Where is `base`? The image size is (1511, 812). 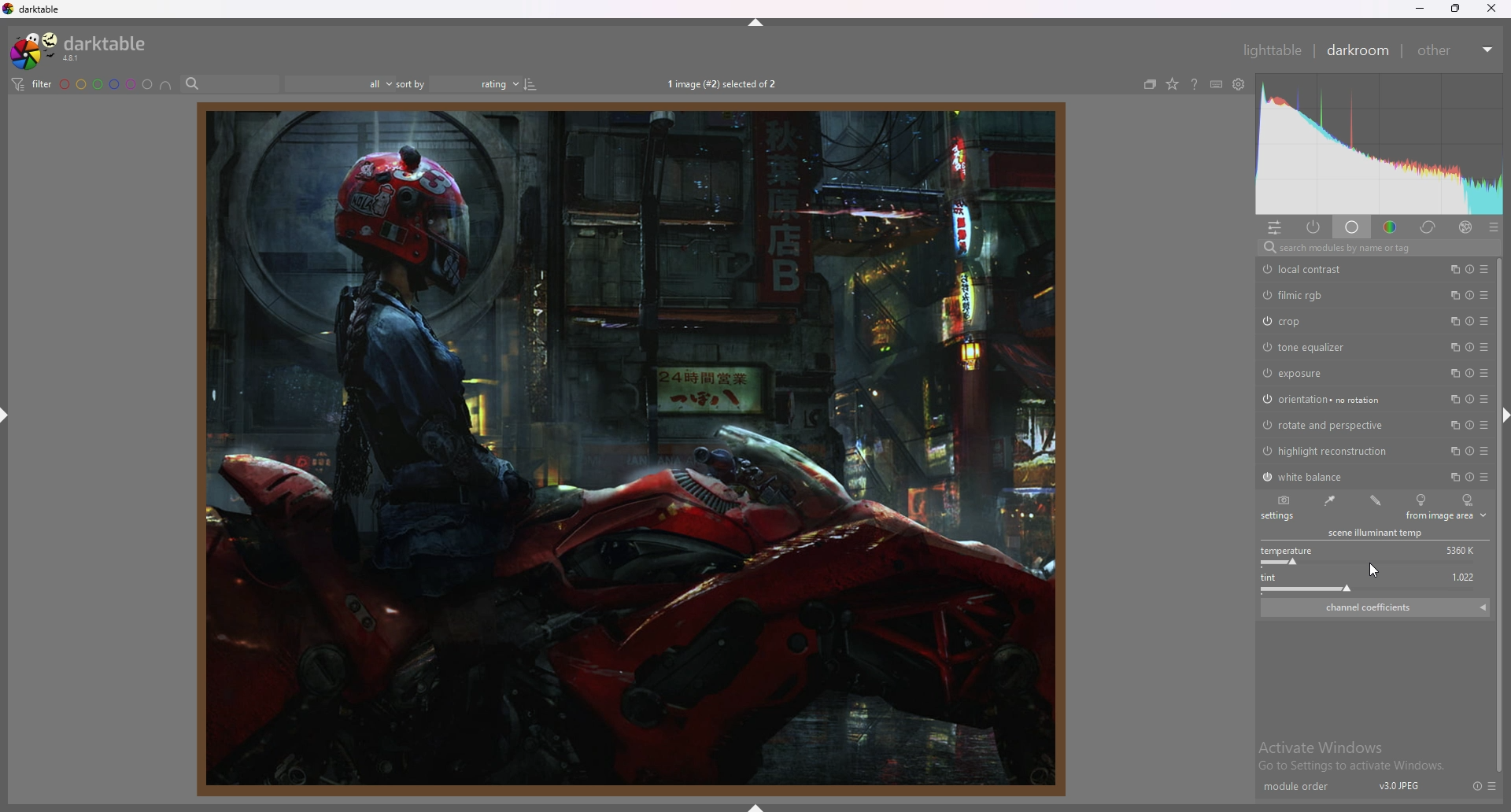
base is located at coordinates (1352, 229).